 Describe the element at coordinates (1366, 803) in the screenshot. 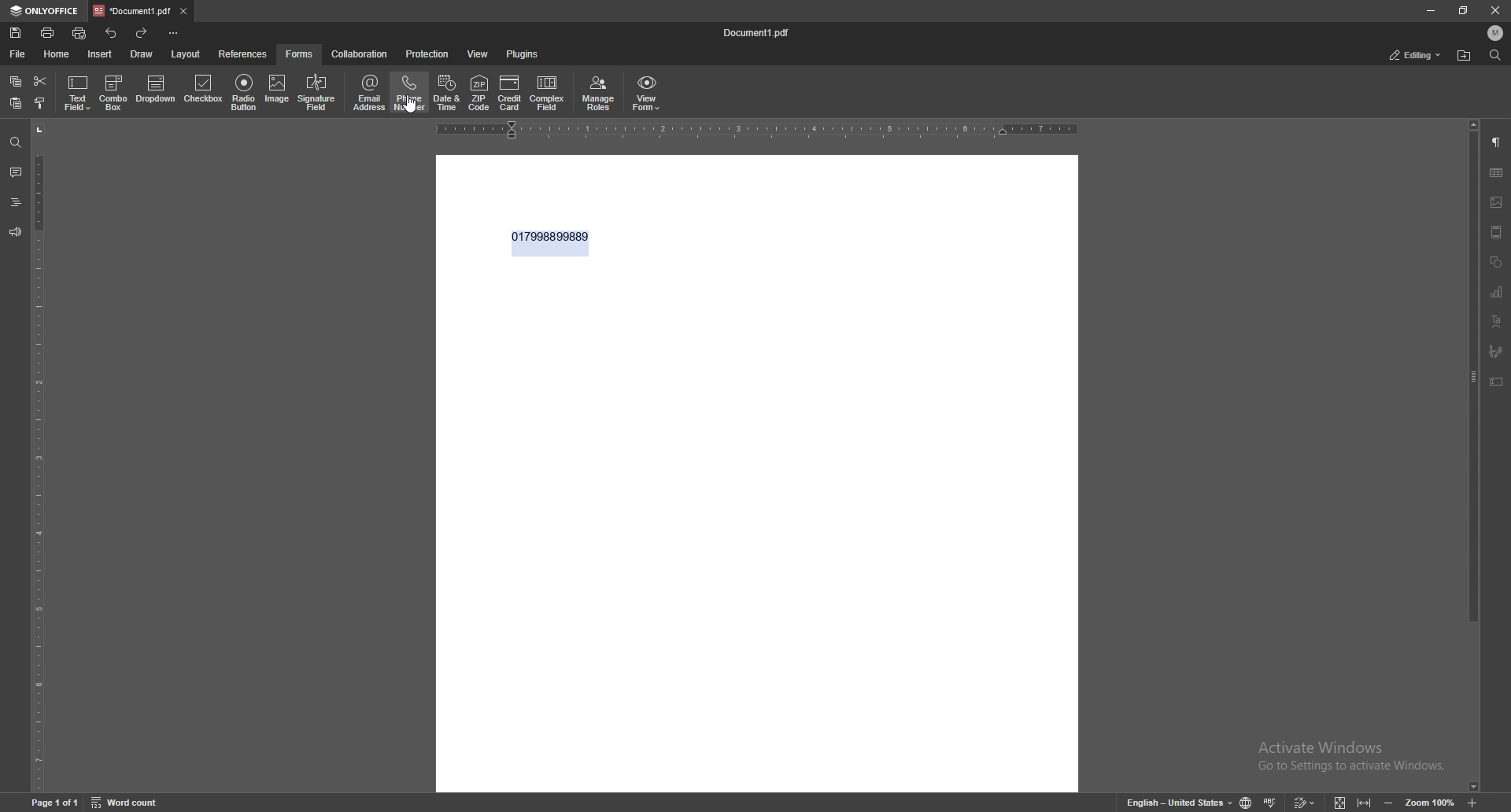

I see `fit to width` at that location.